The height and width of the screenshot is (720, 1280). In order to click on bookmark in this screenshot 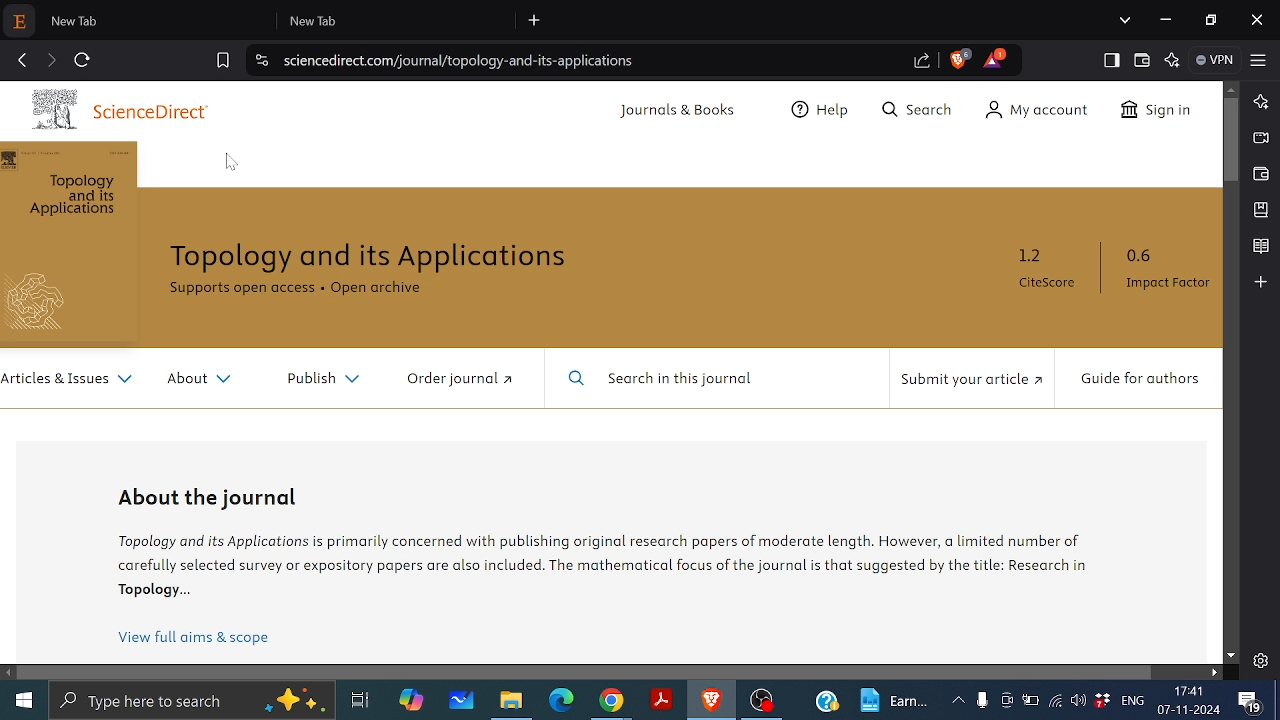, I will do `click(222, 62)`.